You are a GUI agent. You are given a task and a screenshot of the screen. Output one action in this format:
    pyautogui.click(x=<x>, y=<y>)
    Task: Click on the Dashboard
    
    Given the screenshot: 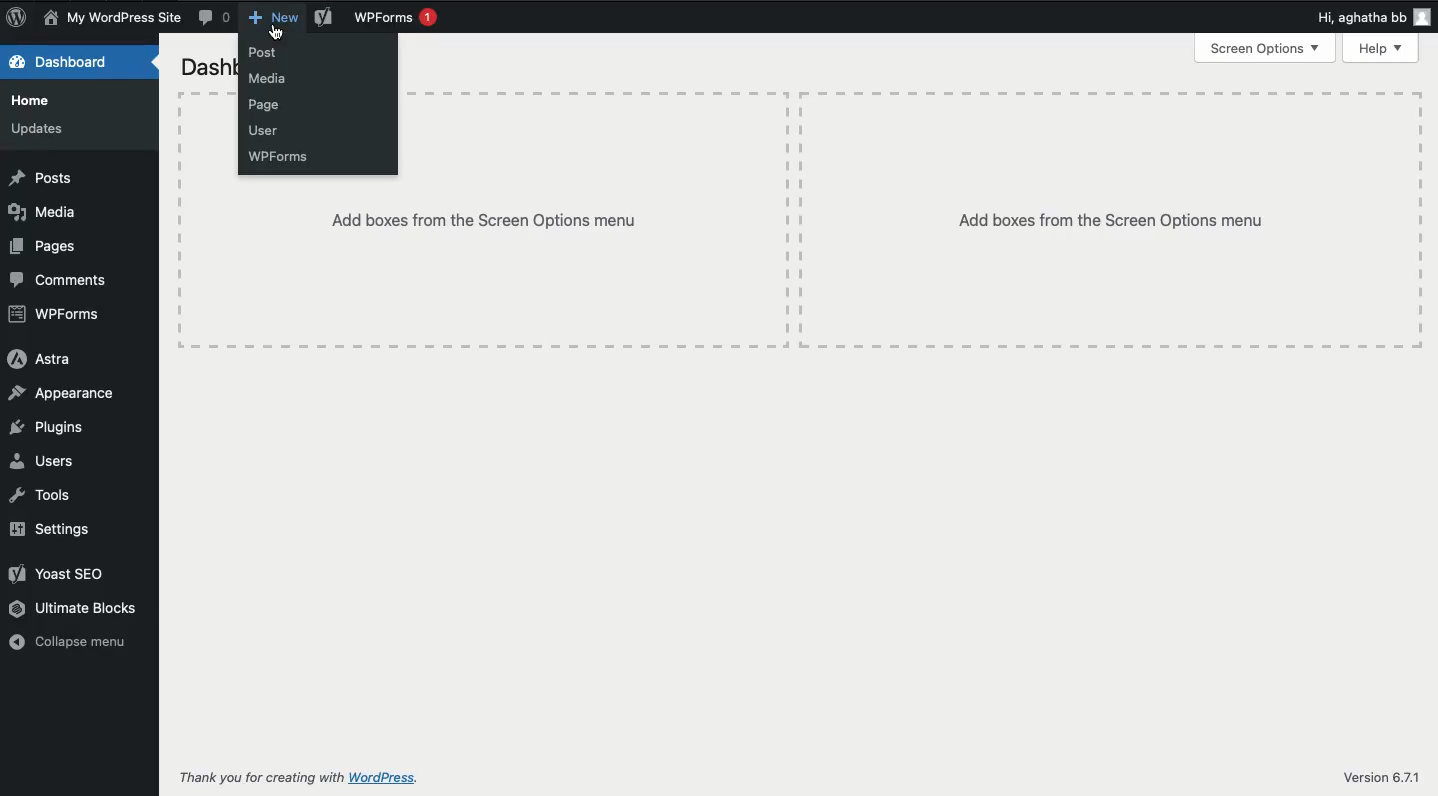 What is the action you would take?
    pyautogui.click(x=69, y=62)
    